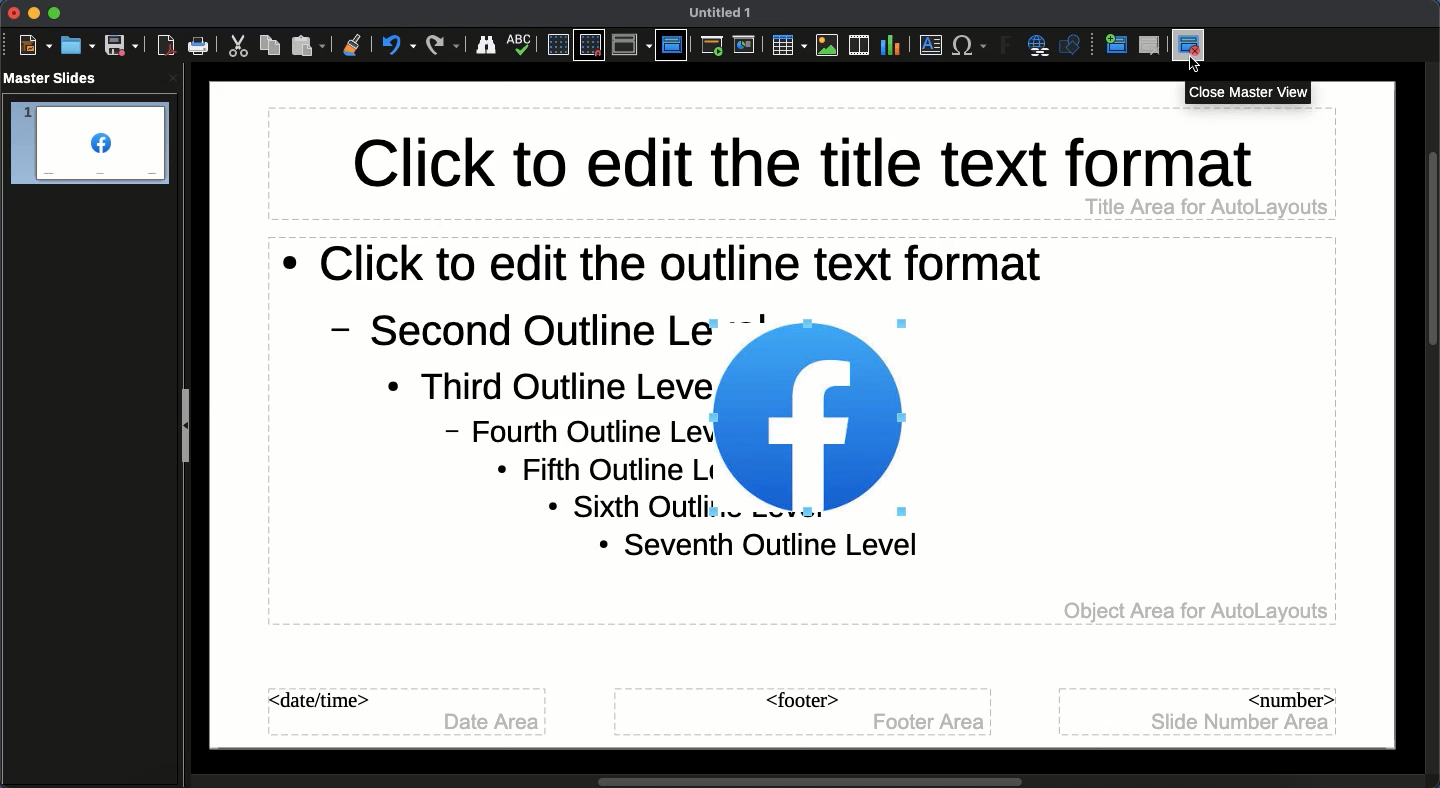  Describe the element at coordinates (971, 47) in the screenshot. I see `Characters` at that location.